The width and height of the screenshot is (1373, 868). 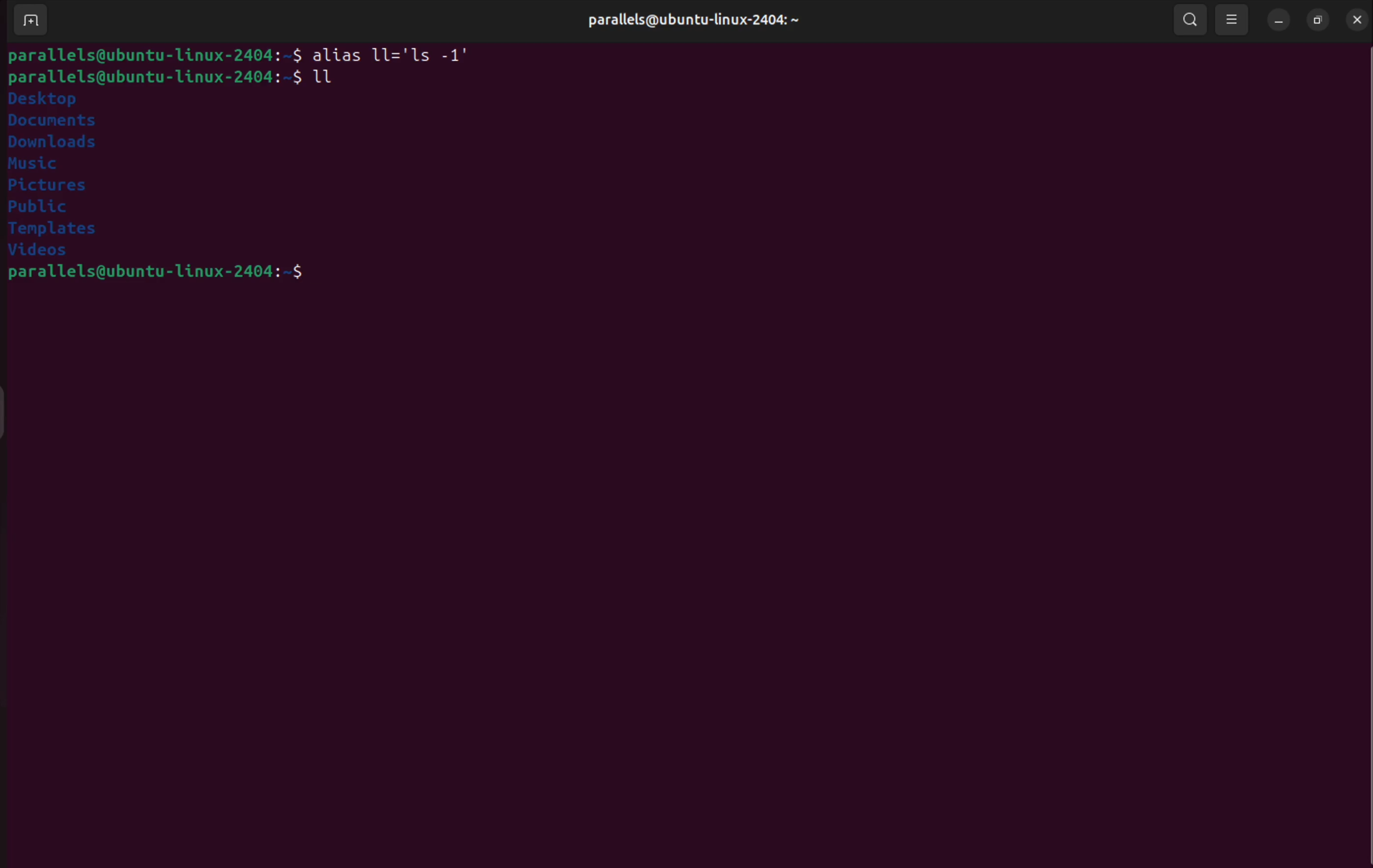 What do you see at coordinates (1191, 19) in the screenshot?
I see `search ` at bounding box center [1191, 19].